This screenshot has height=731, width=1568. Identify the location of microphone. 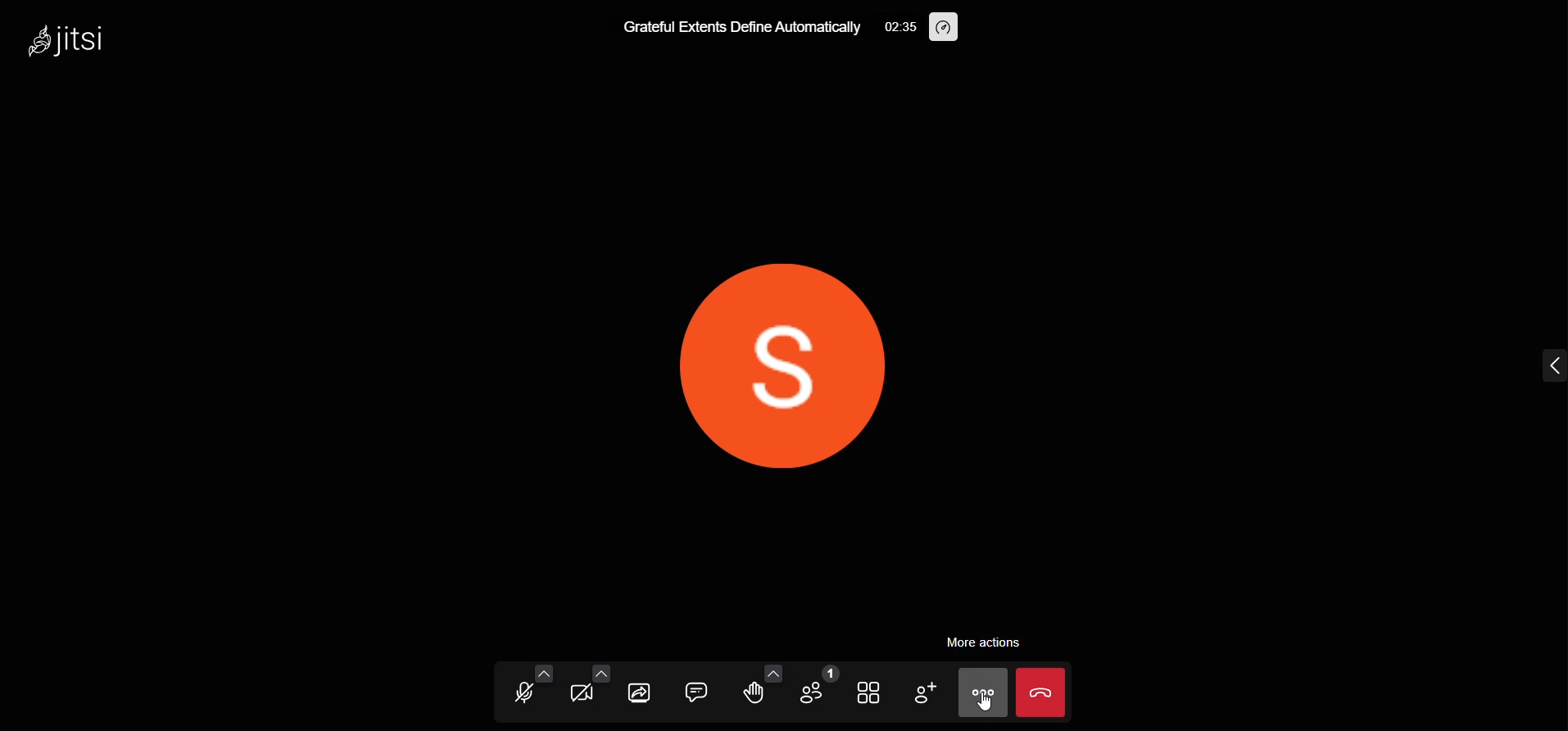
(519, 696).